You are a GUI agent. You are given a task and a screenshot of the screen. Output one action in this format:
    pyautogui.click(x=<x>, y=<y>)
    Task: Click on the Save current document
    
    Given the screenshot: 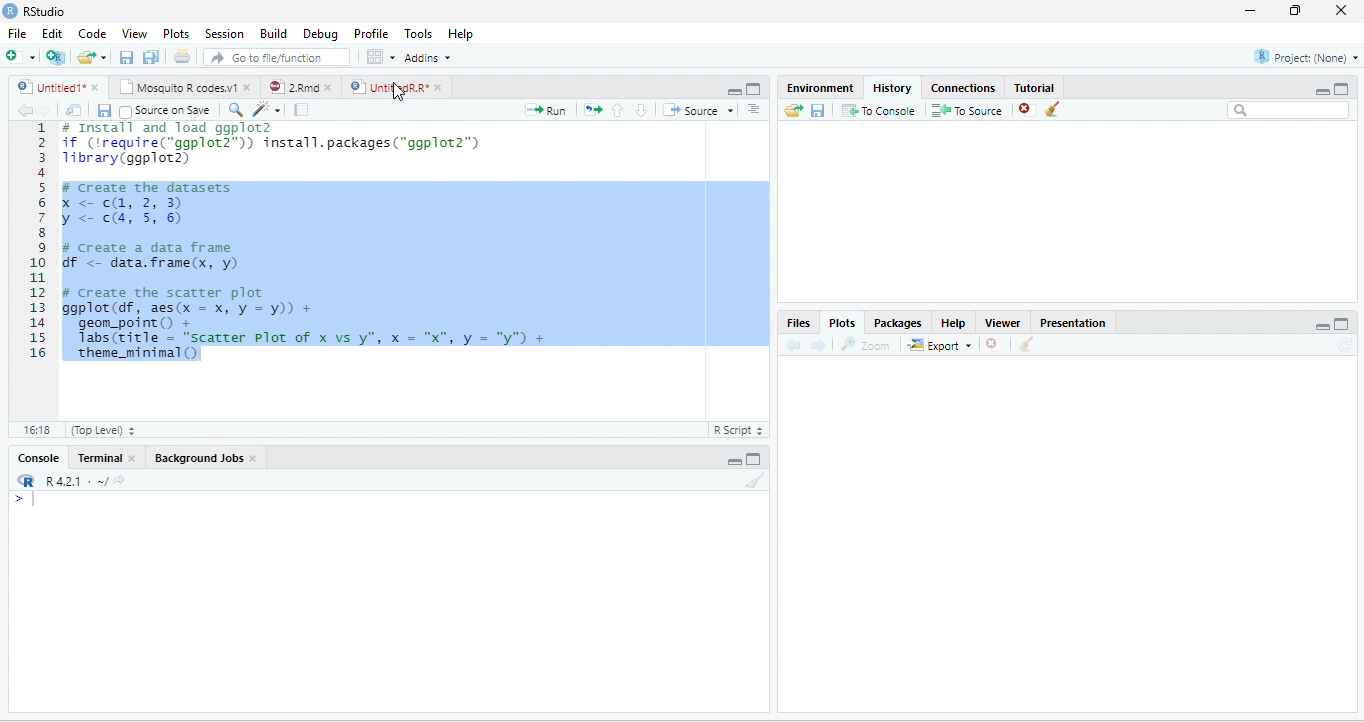 What is the action you would take?
    pyautogui.click(x=127, y=56)
    